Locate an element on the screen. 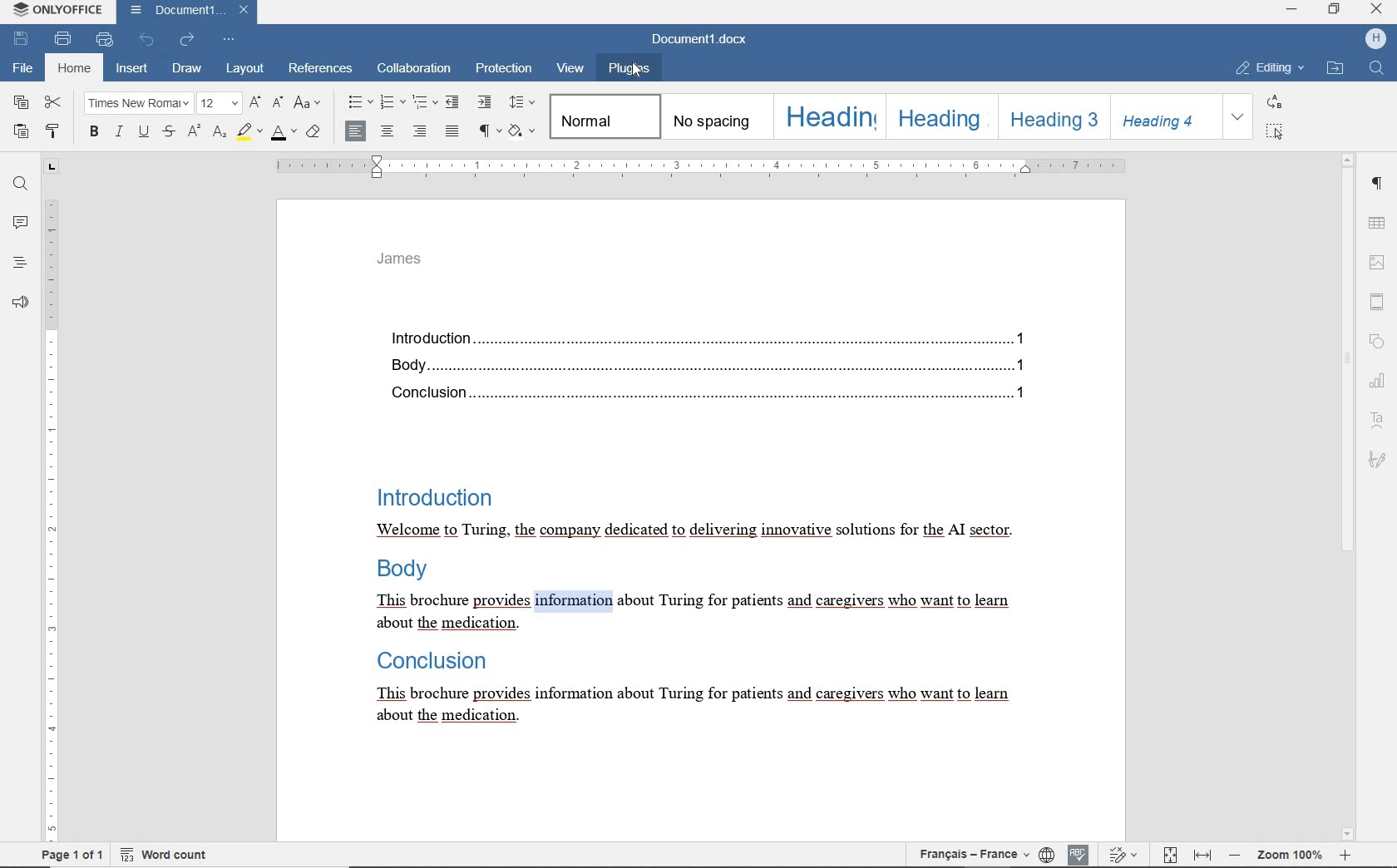 Image resolution: width=1397 pixels, height=868 pixels. FONT SIZE is located at coordinates (220, 102).